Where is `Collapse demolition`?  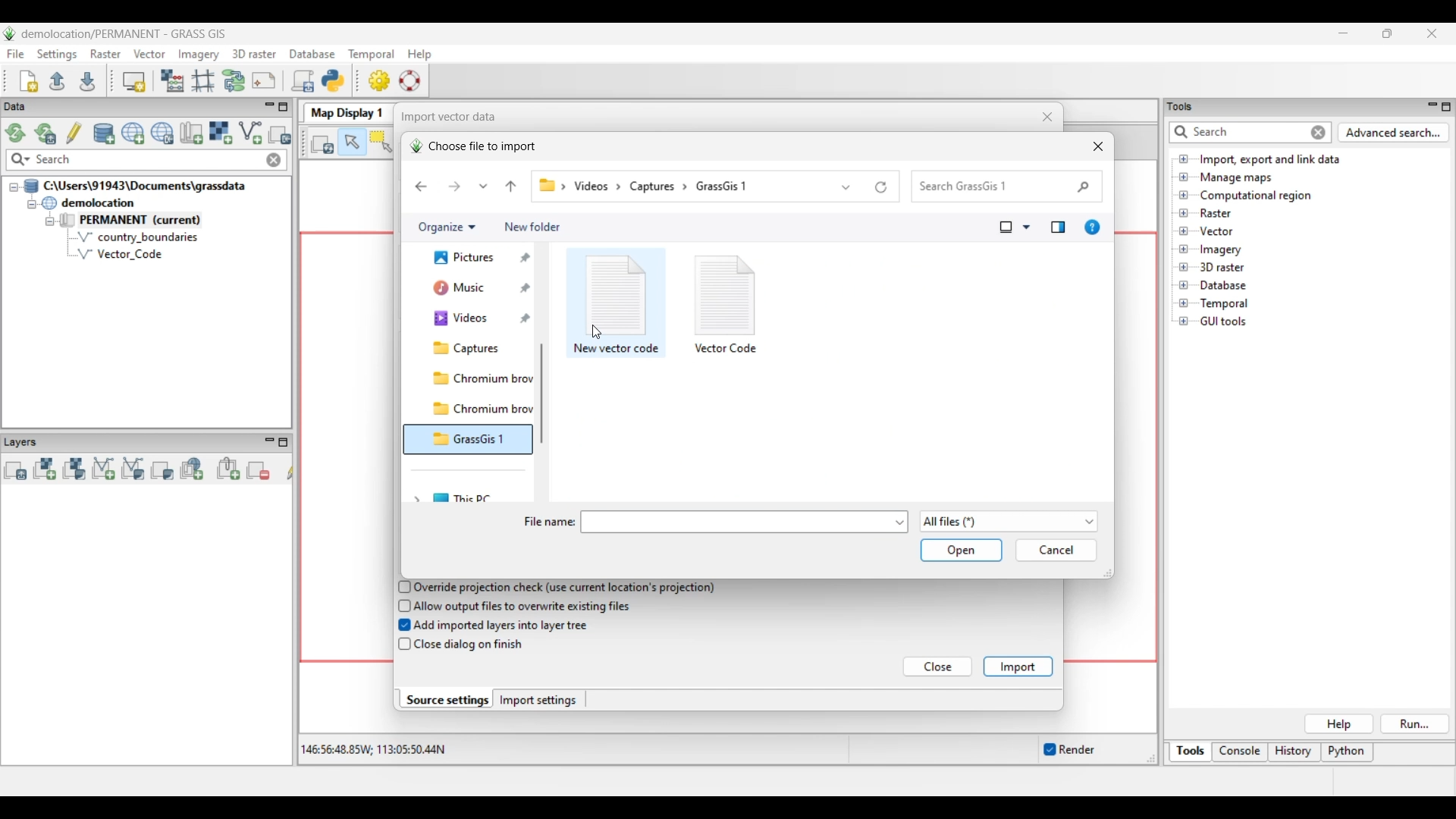
Collapse demolition is located at coordinates (31, 205).